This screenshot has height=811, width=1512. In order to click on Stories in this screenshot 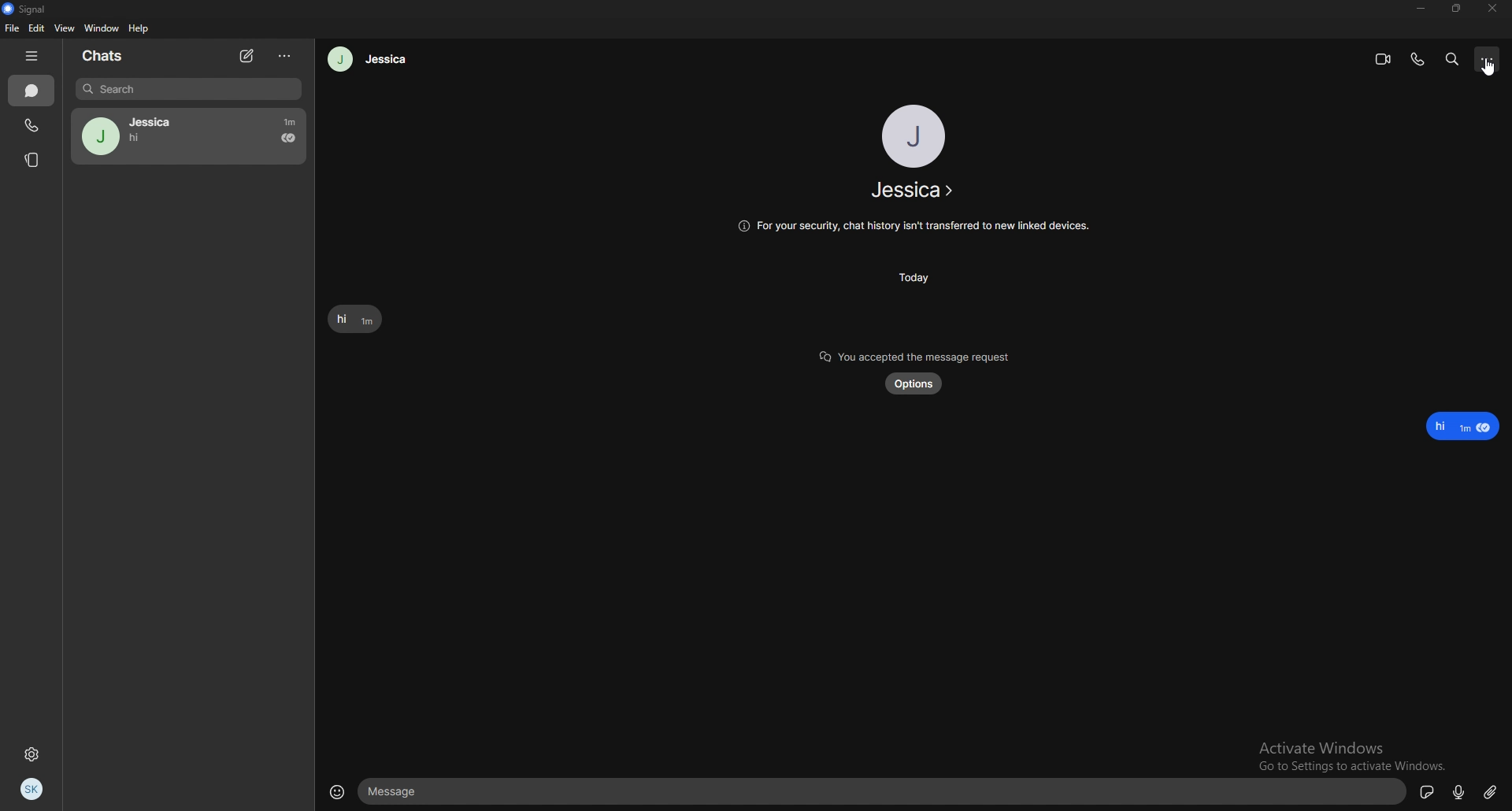, I will do `click(33, 159)`.